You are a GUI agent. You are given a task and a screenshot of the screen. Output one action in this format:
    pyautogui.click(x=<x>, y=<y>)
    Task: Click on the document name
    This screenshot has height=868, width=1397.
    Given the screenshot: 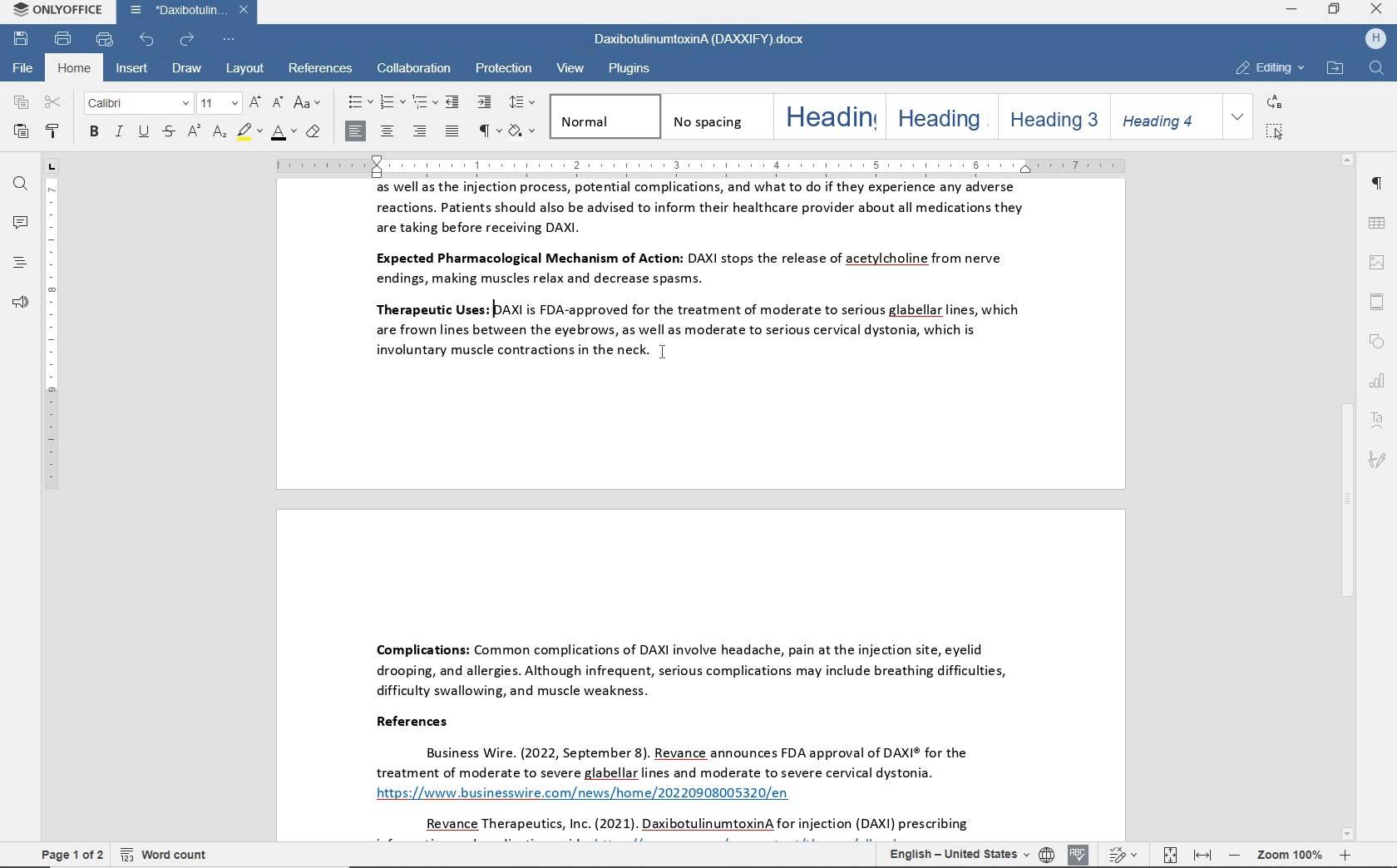 What is the action you would take?
    pyautogui.click(x=697, y=41)
    